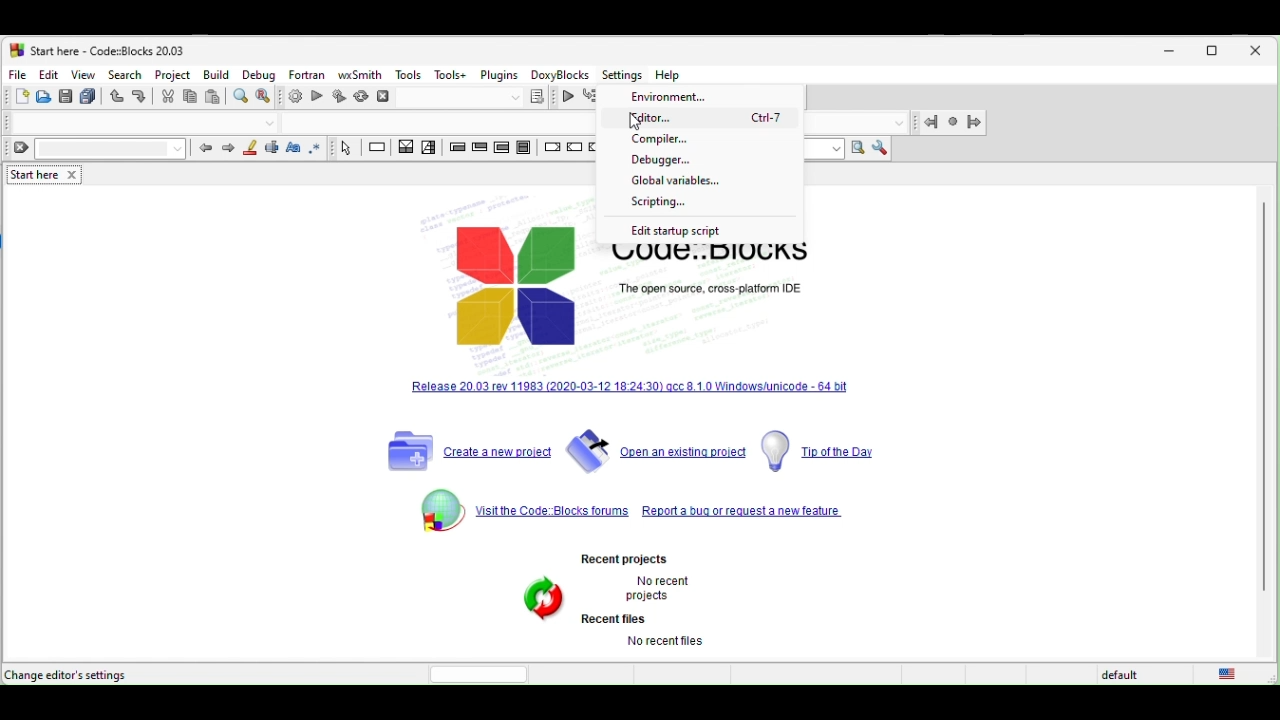 The width and height of the screenshot is (1280, 720). I want to click on save, so click(66, 97).